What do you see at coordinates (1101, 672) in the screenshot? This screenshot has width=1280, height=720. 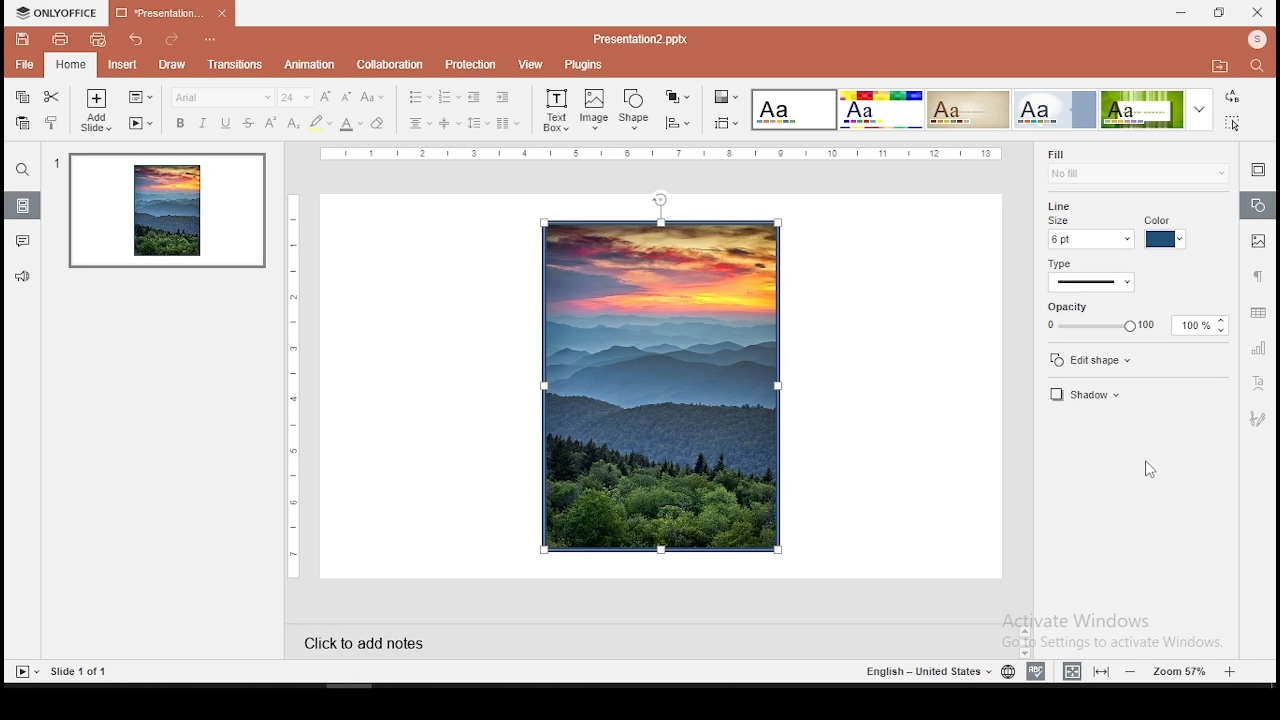 I see `fit to slide` at bounding box center [1101, 672].